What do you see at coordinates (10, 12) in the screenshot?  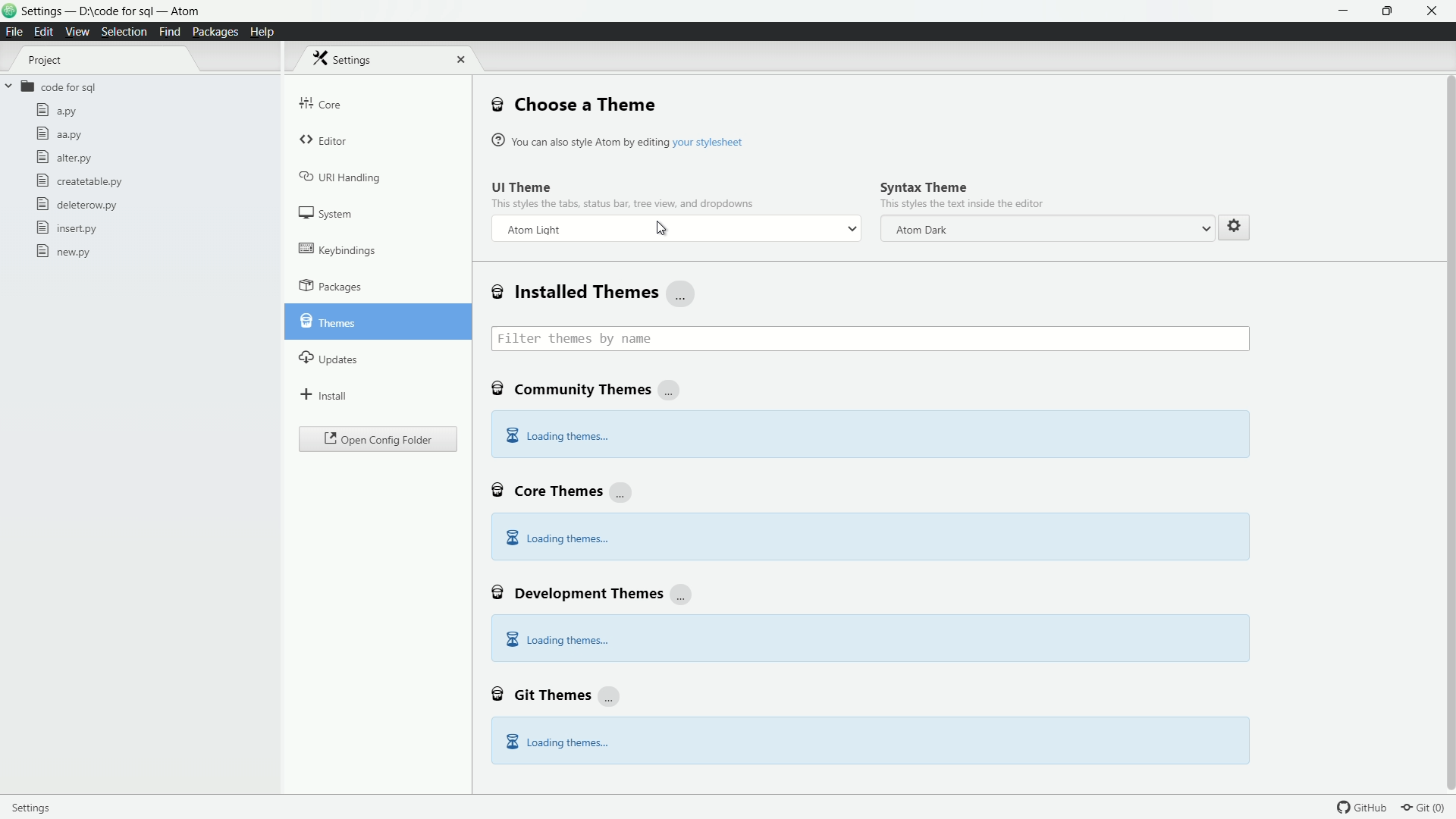 I see `logo` at bounding box center [10, 12].